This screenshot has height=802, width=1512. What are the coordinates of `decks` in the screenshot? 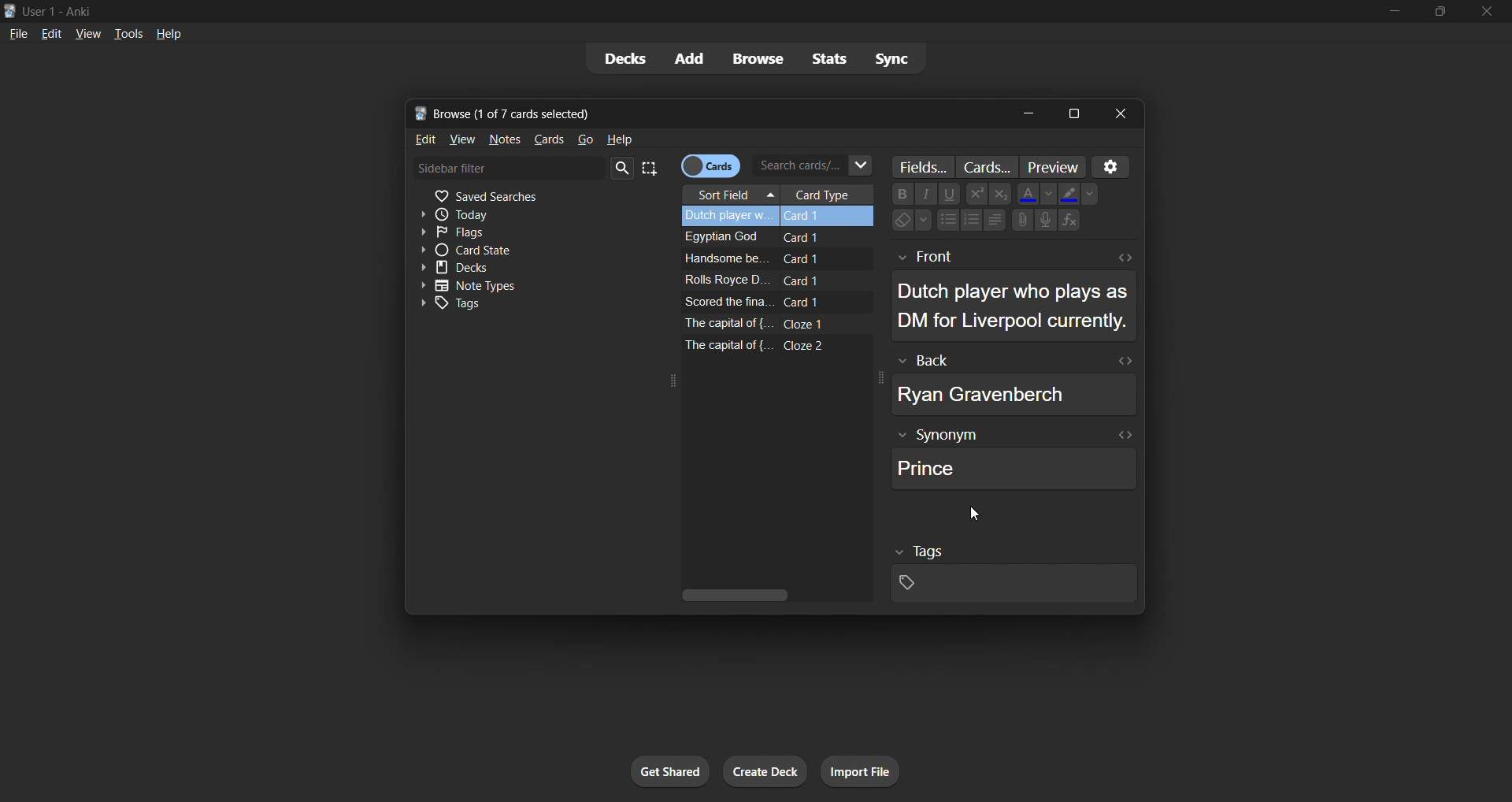 It's located at (624, 58).